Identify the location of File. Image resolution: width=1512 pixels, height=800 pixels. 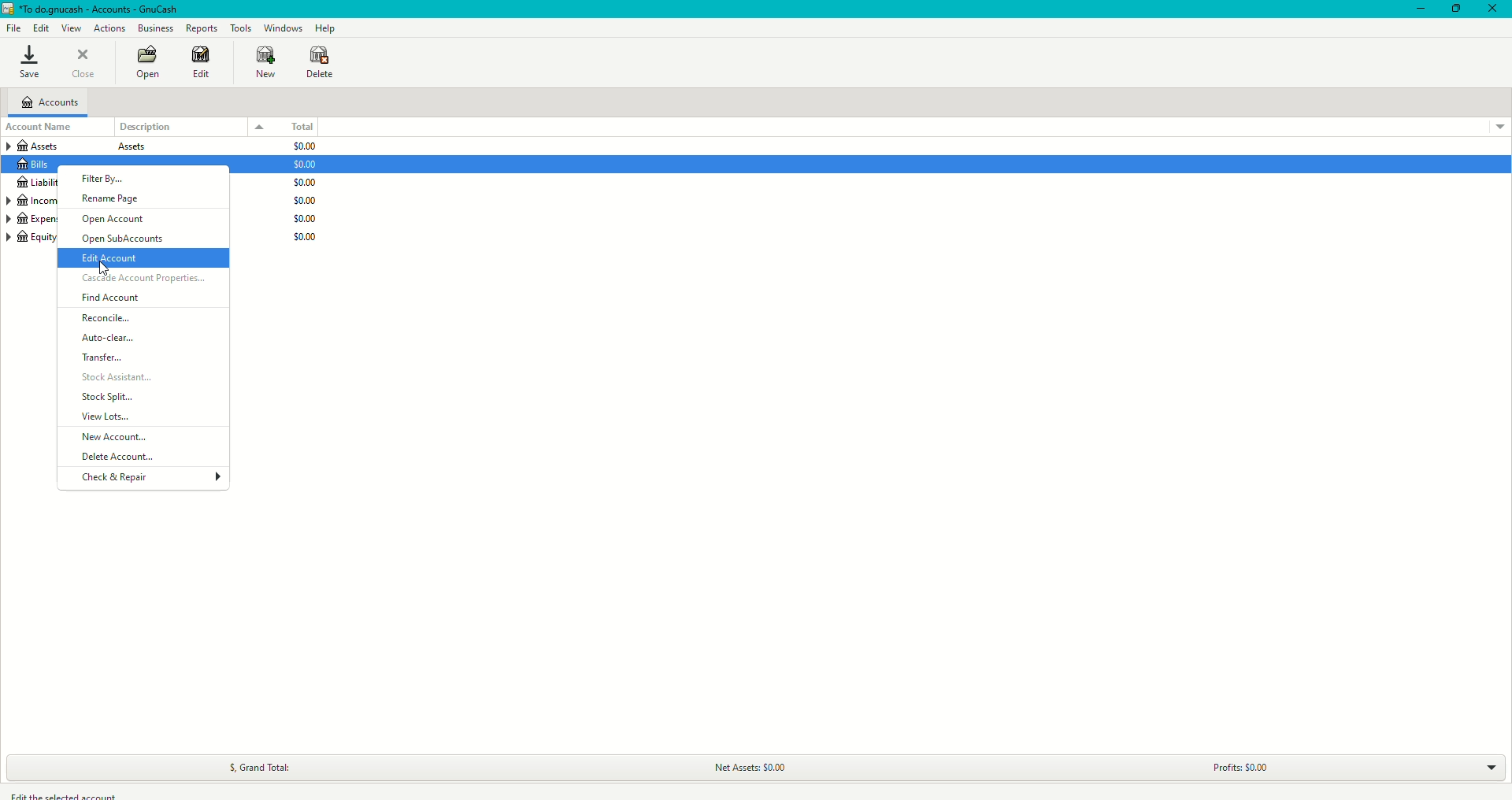
(16, 29).